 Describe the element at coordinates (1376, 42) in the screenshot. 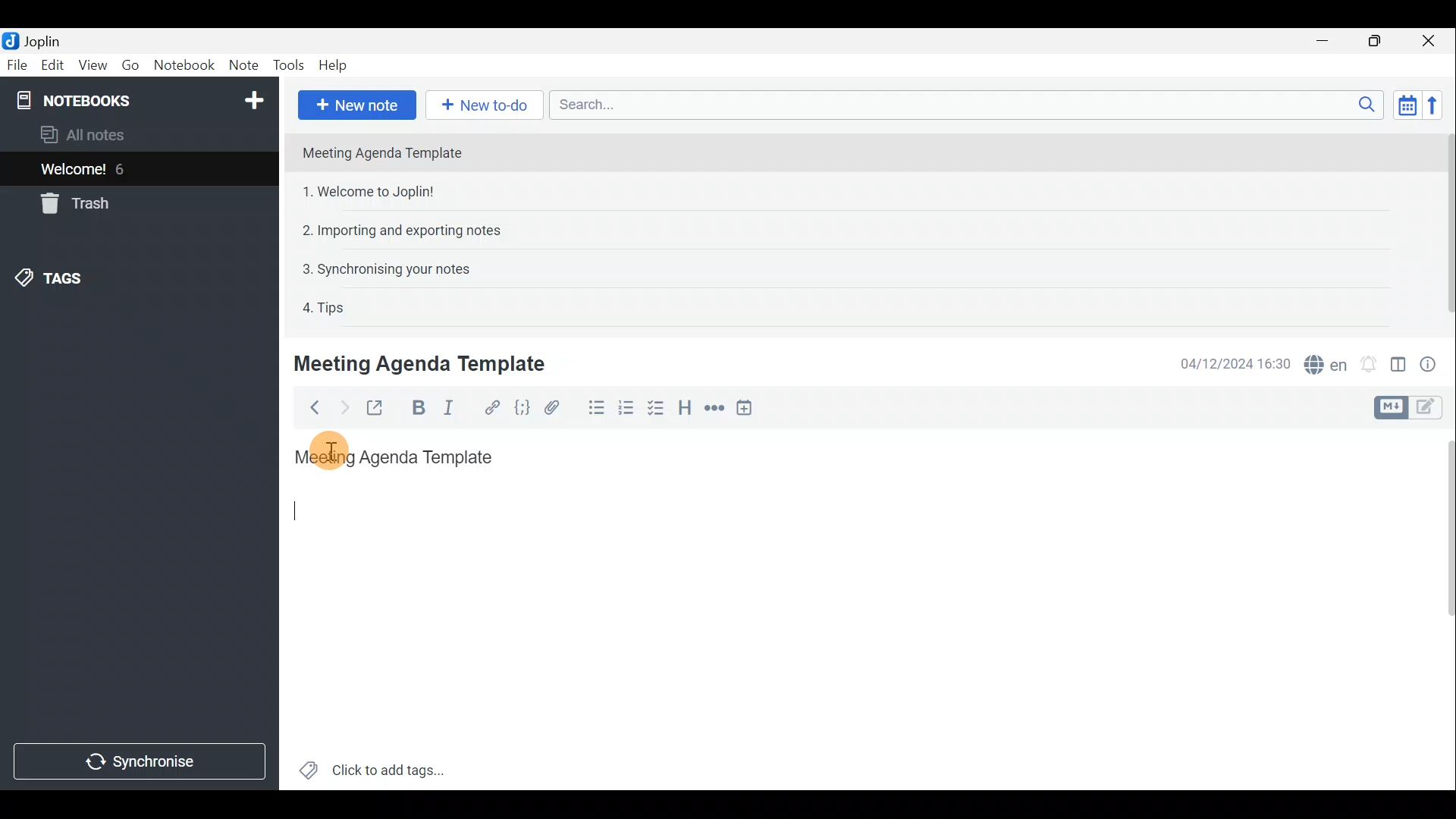

I see `Maximise` at that location.